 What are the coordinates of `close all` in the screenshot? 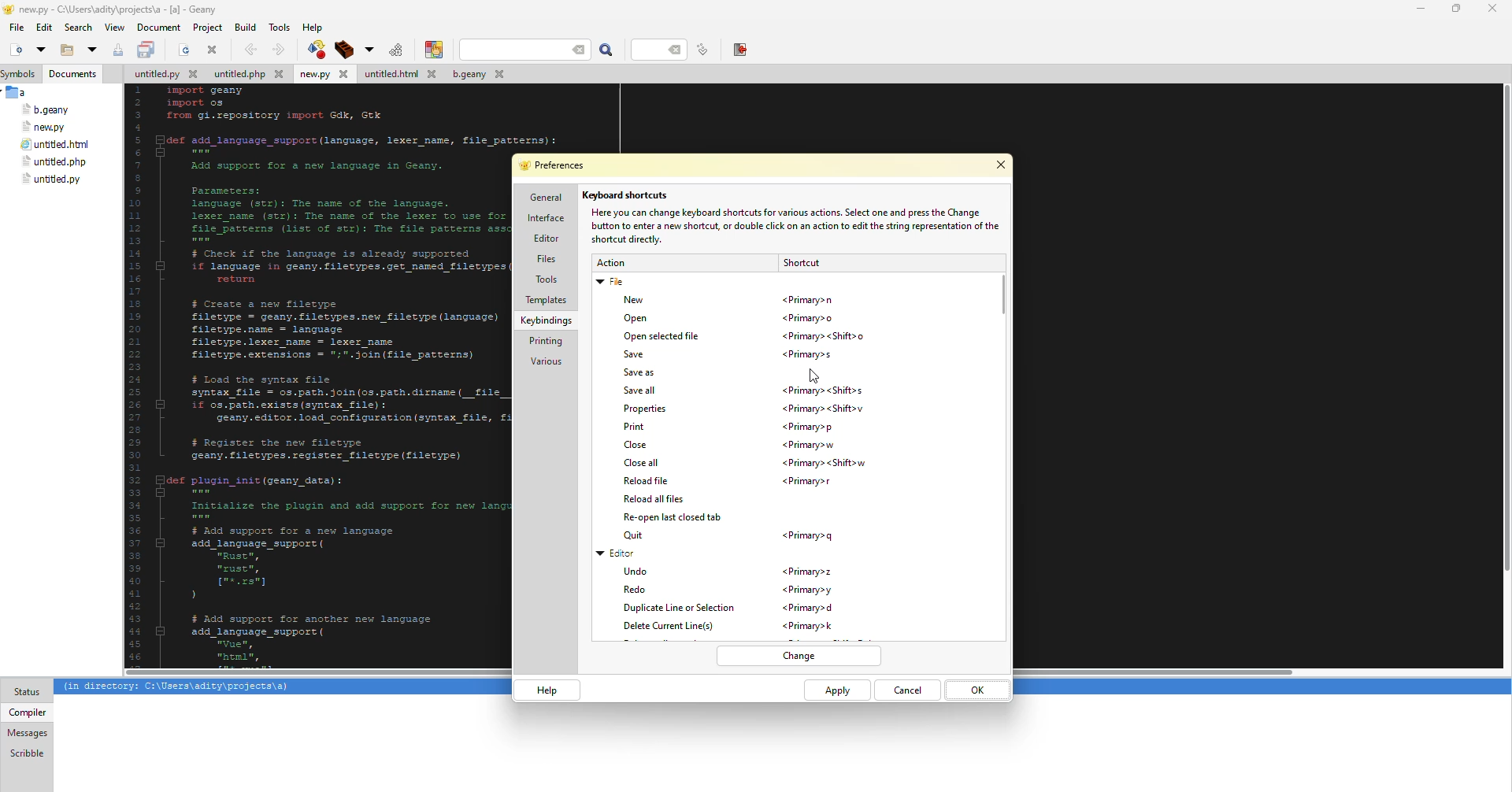 It's located at (640, 464).